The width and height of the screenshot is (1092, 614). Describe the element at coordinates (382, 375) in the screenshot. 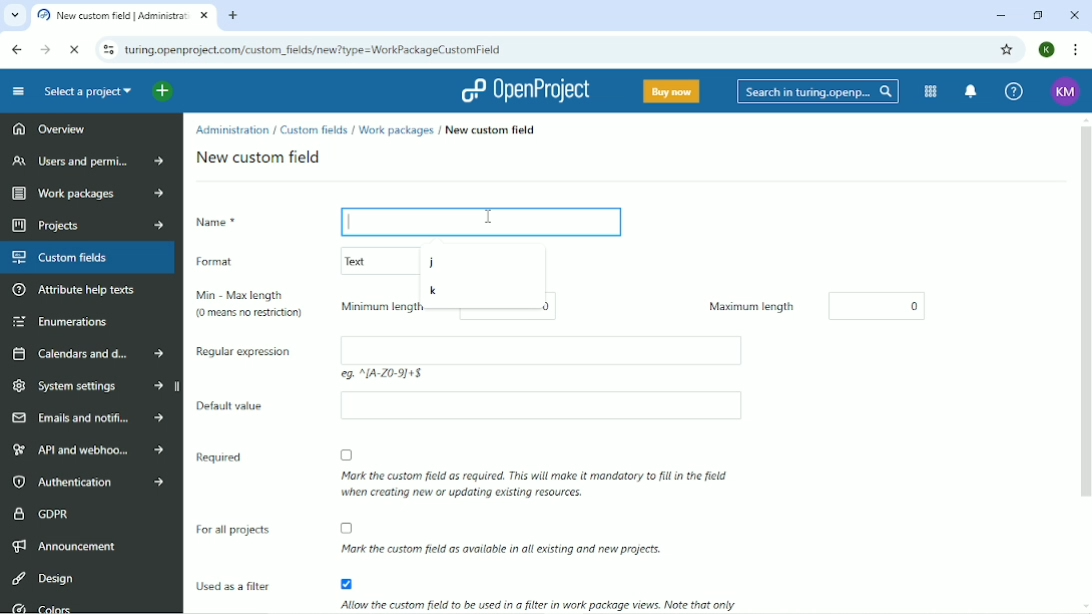

I see `eg: ^(A-Z 0-9)+$` at that location.